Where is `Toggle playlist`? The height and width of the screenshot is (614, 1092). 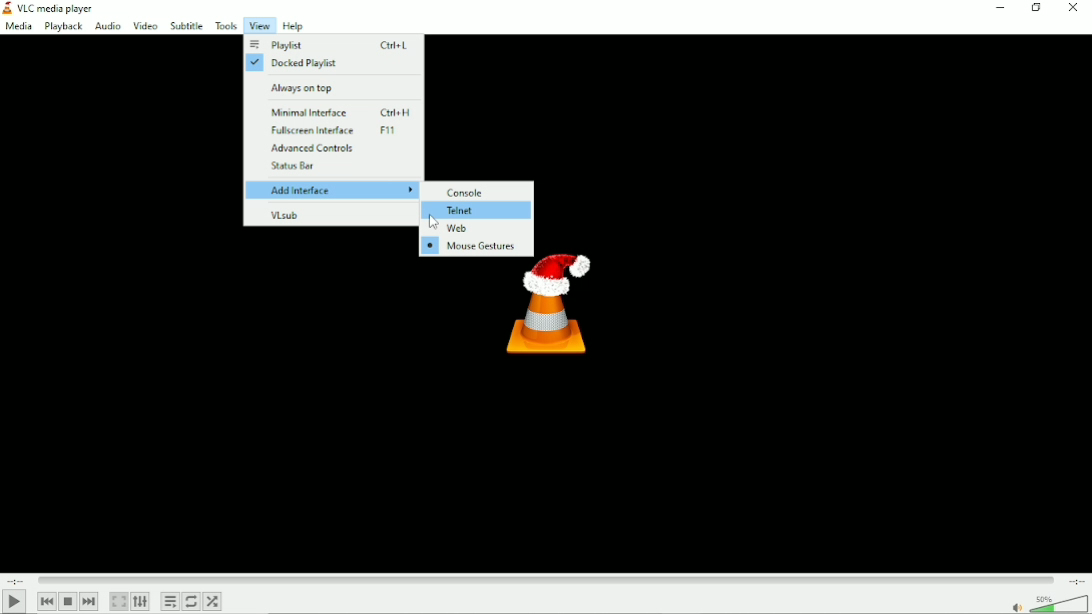
Toggle playlist is located at coordinates (170, 602).